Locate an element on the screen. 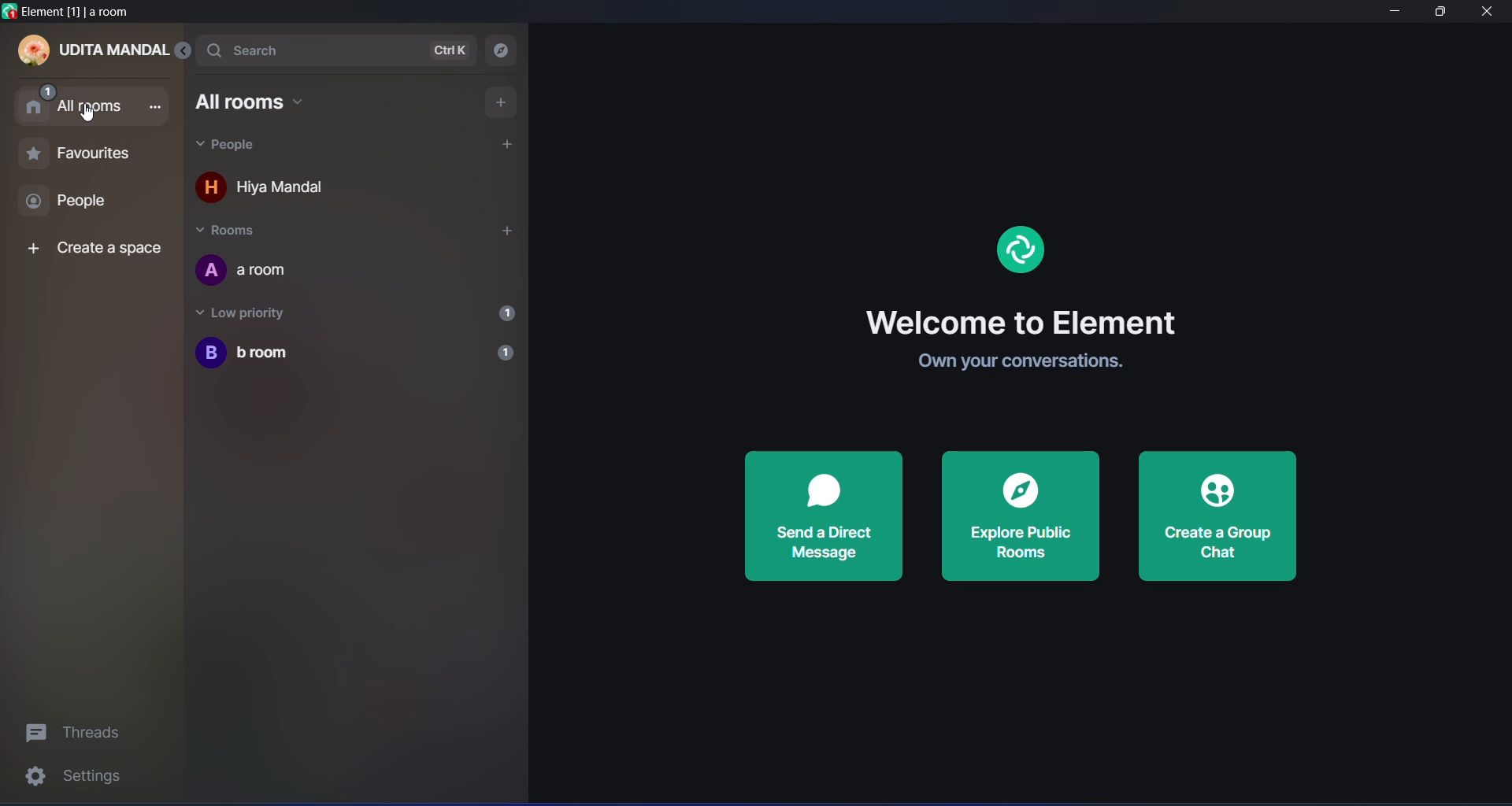  Explore Public Rooms is located at coordinates (1021, 516).